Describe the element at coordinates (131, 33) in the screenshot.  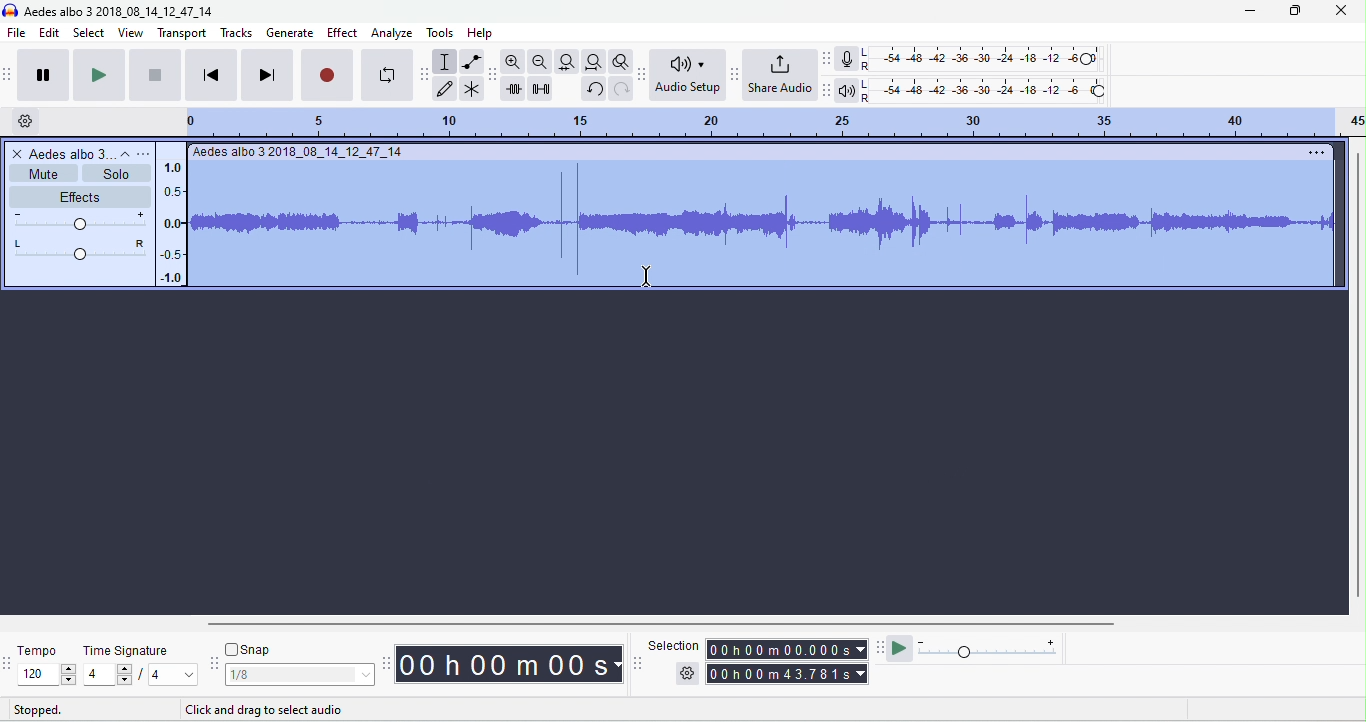
I see `view` at that location.